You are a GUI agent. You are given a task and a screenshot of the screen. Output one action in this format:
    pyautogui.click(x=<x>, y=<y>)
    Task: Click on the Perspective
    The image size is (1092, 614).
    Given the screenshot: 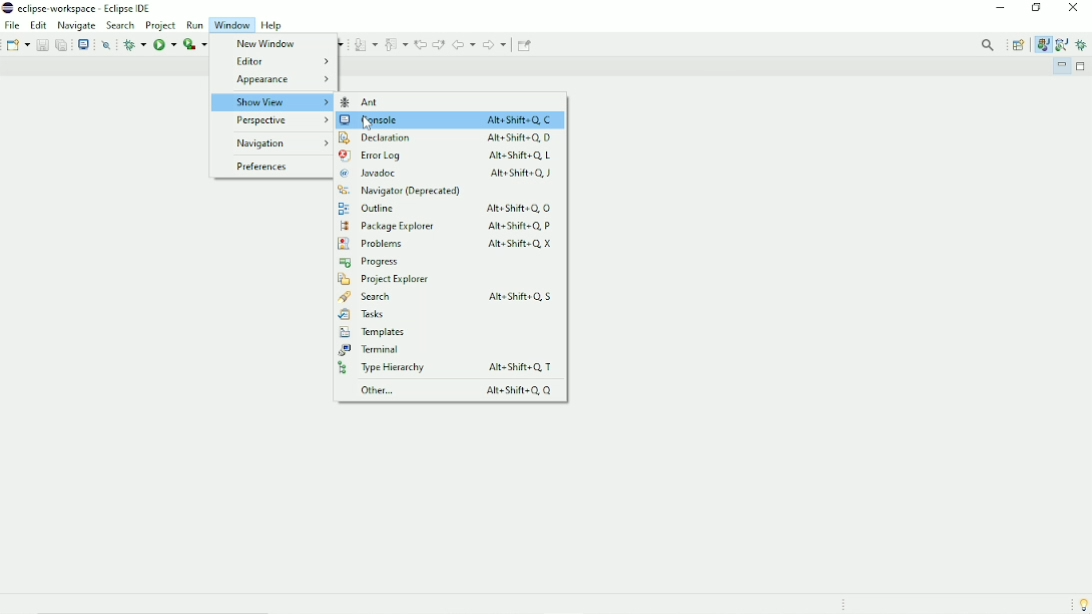 What is the action you would take?
    pyautogui.click(x=277, y=121)
    